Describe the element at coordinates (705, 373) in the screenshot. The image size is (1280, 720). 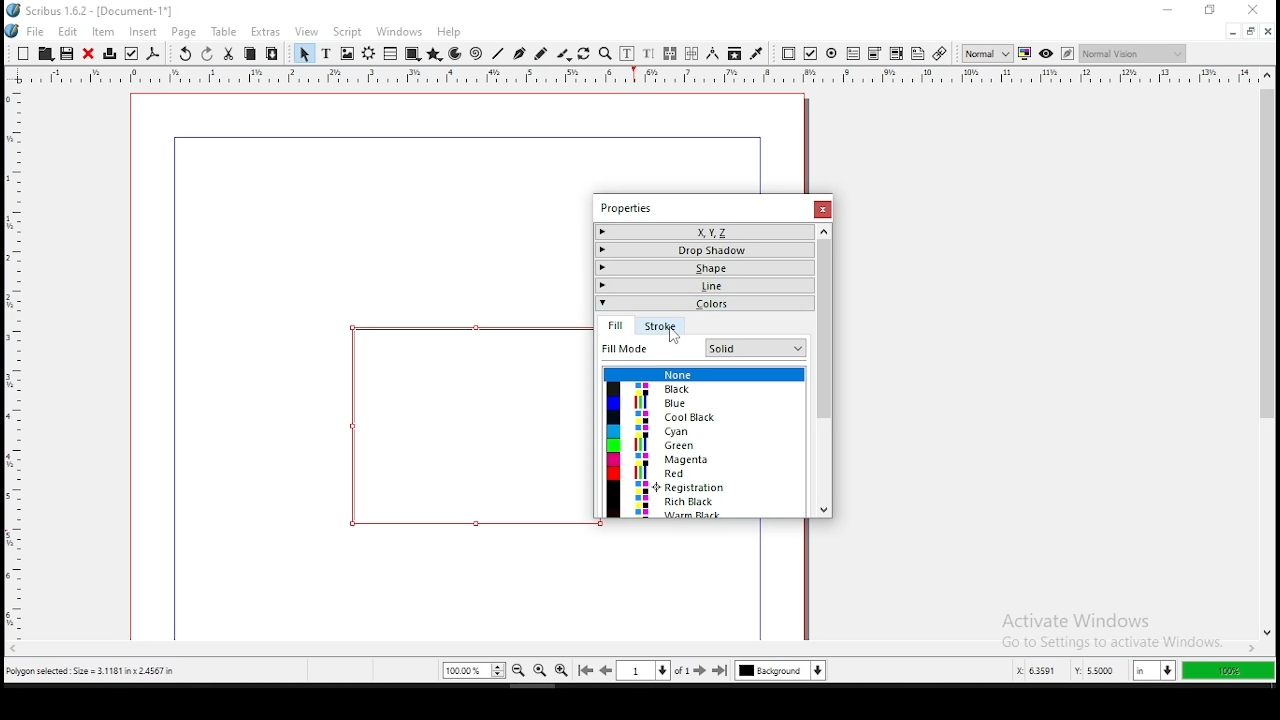
I see `none` at that location.